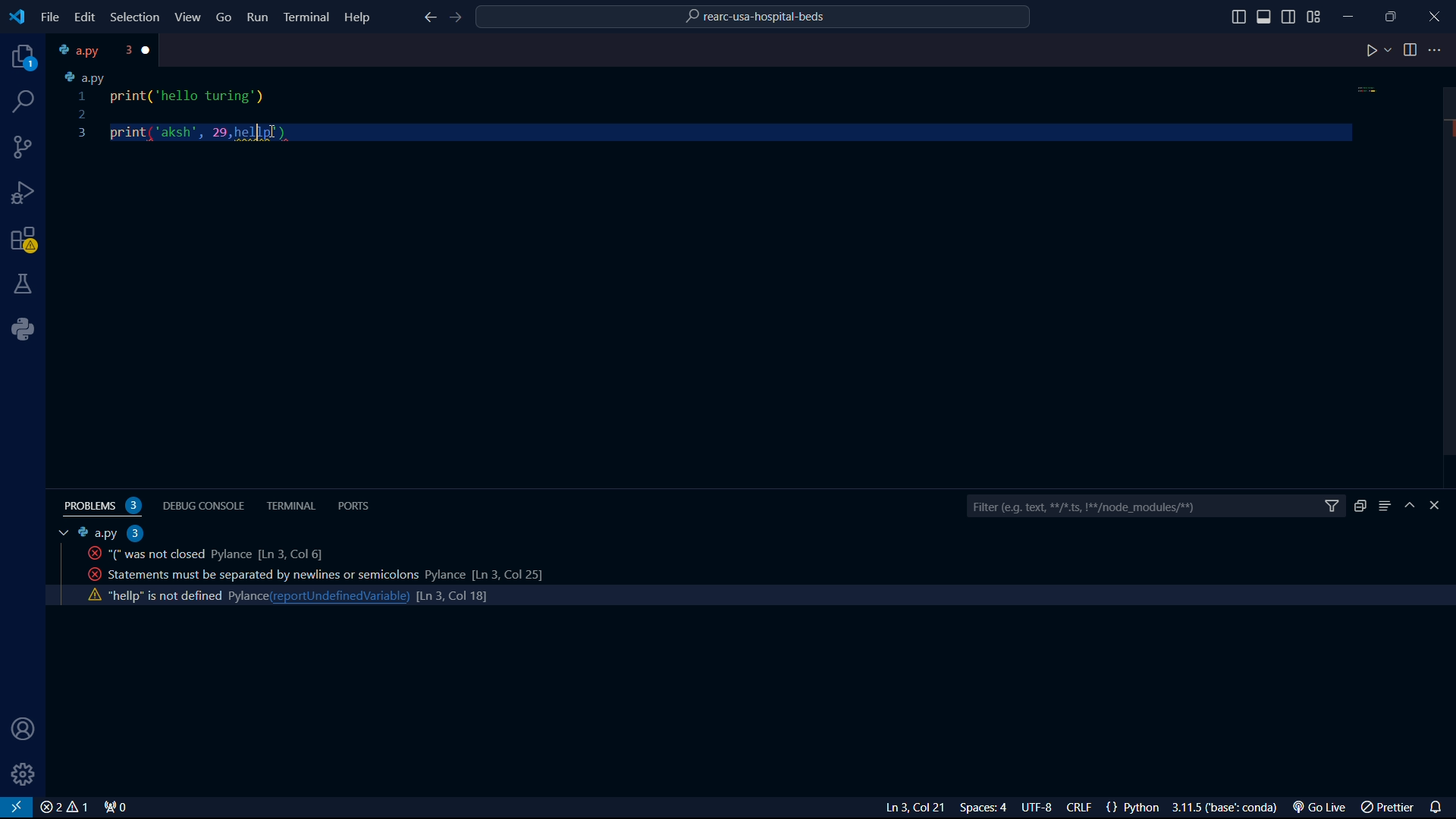  What do you see at coordinates (83, 17) in the screenshot?
I see `edit` at bounding box center [83, 17].